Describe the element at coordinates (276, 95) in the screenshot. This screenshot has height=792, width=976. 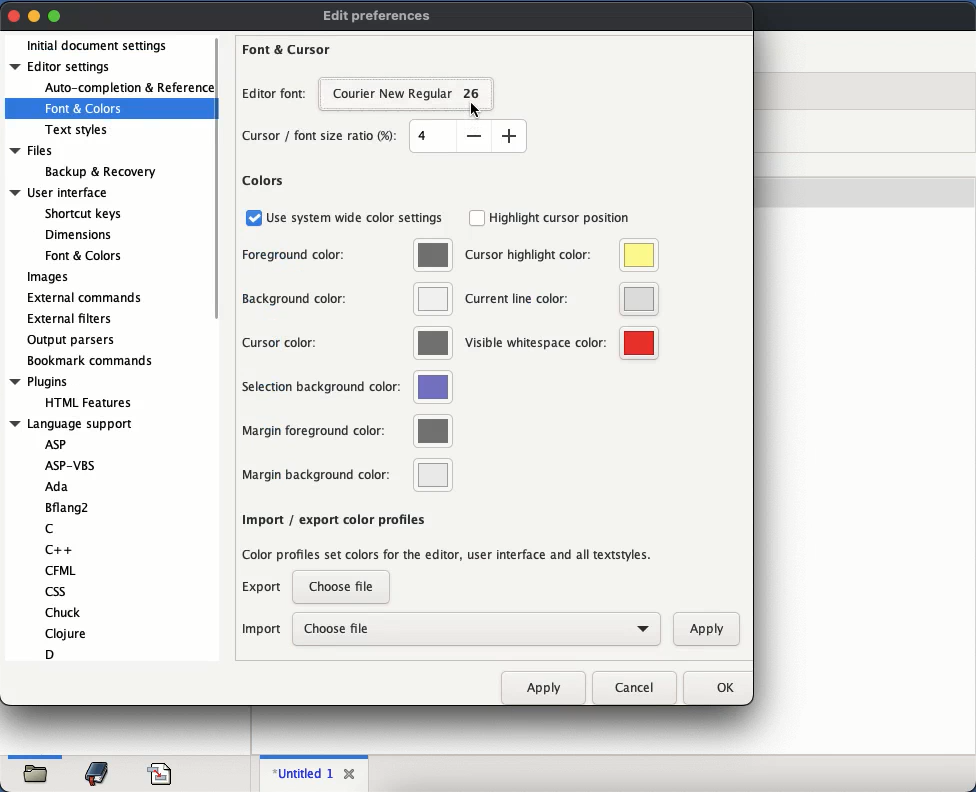
I see `editor font` at that location.